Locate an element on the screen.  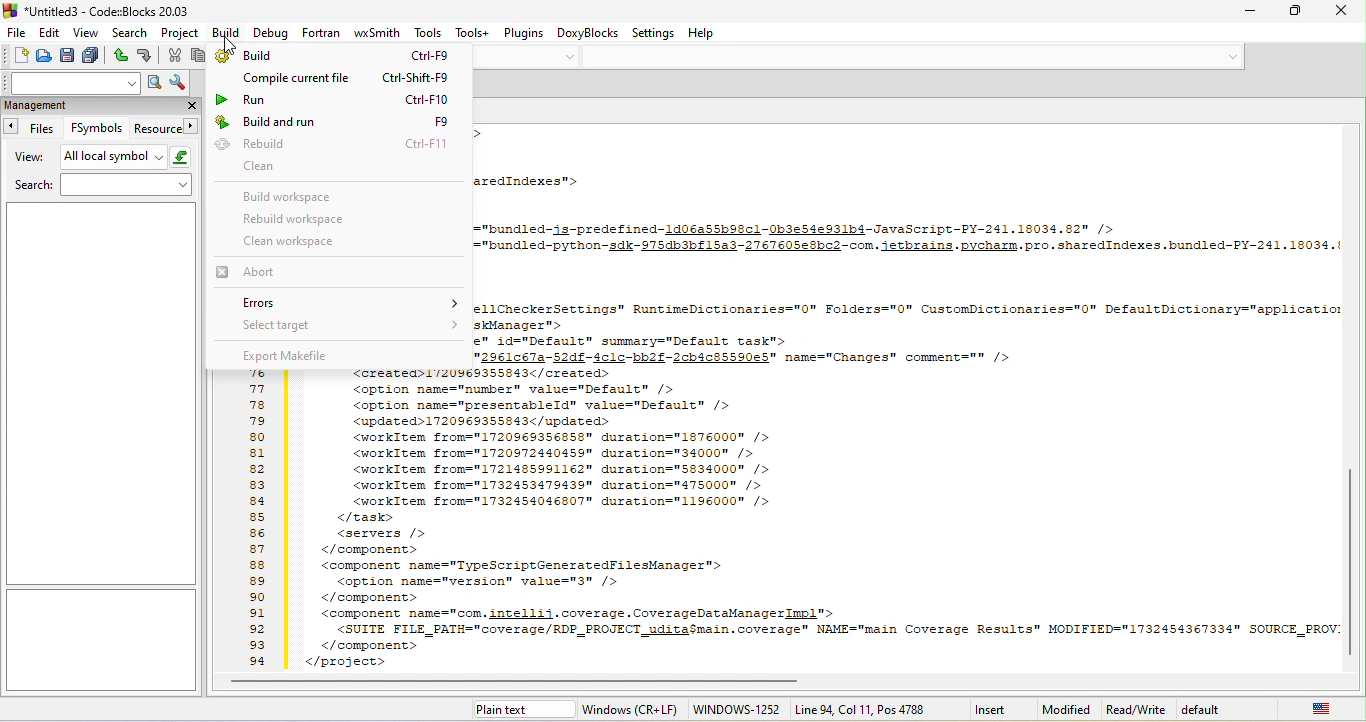
replace is located at coordinates (179, 84).